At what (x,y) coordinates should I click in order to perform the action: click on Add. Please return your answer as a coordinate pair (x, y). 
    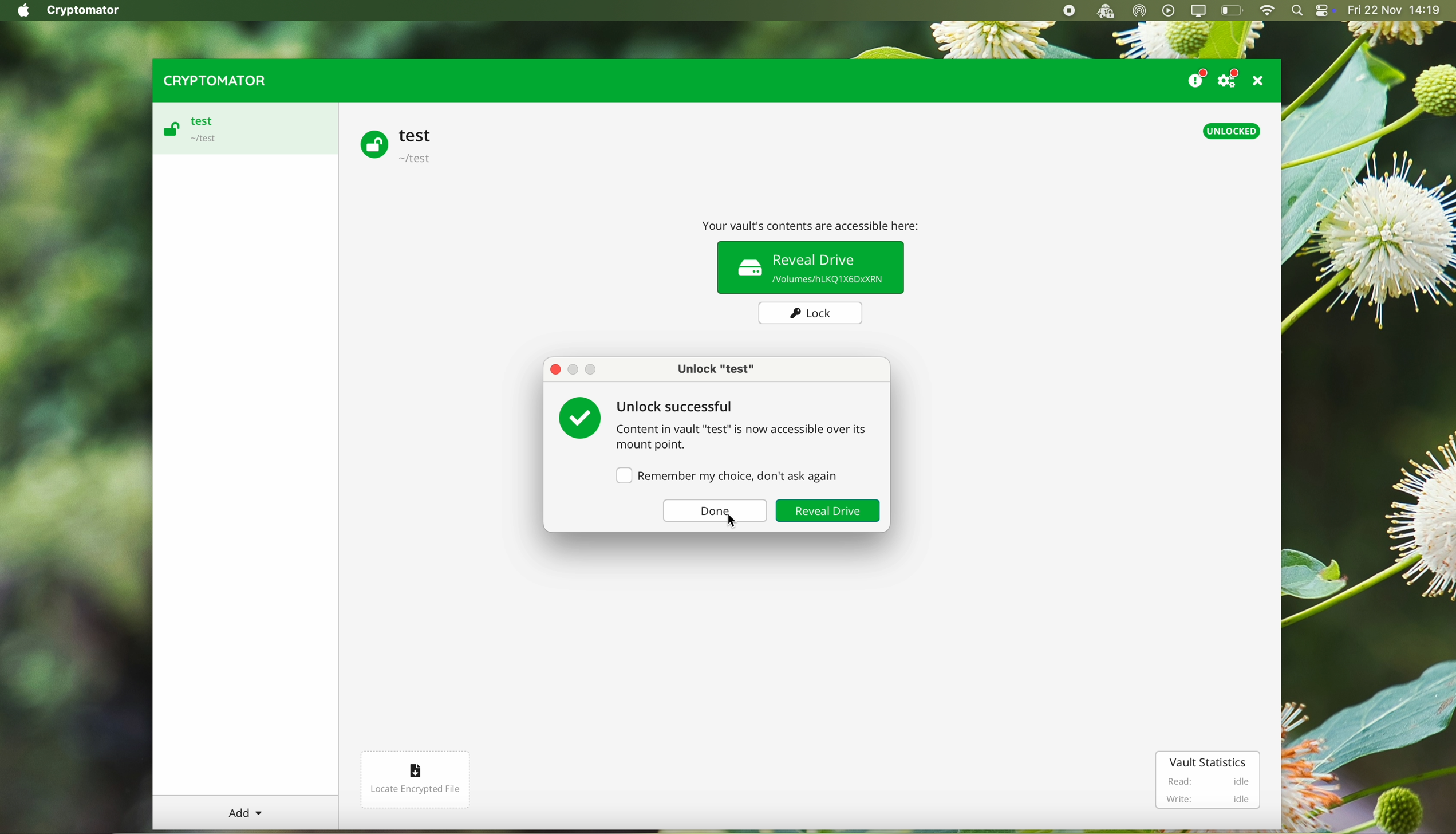
    Looking at the image, I should click on (246, 811).